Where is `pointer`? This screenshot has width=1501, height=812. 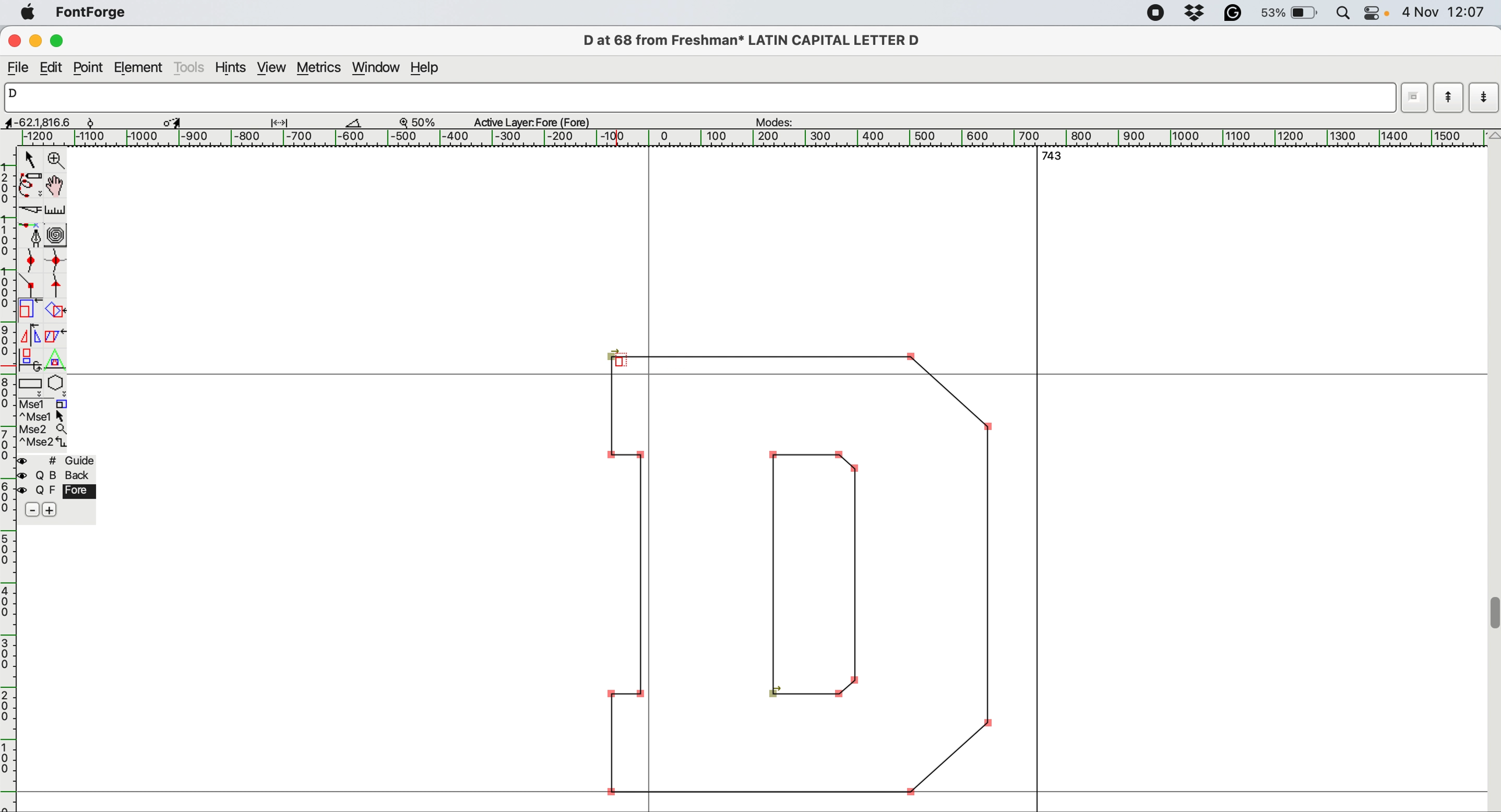 pointer is located at coordinates (31, 159).